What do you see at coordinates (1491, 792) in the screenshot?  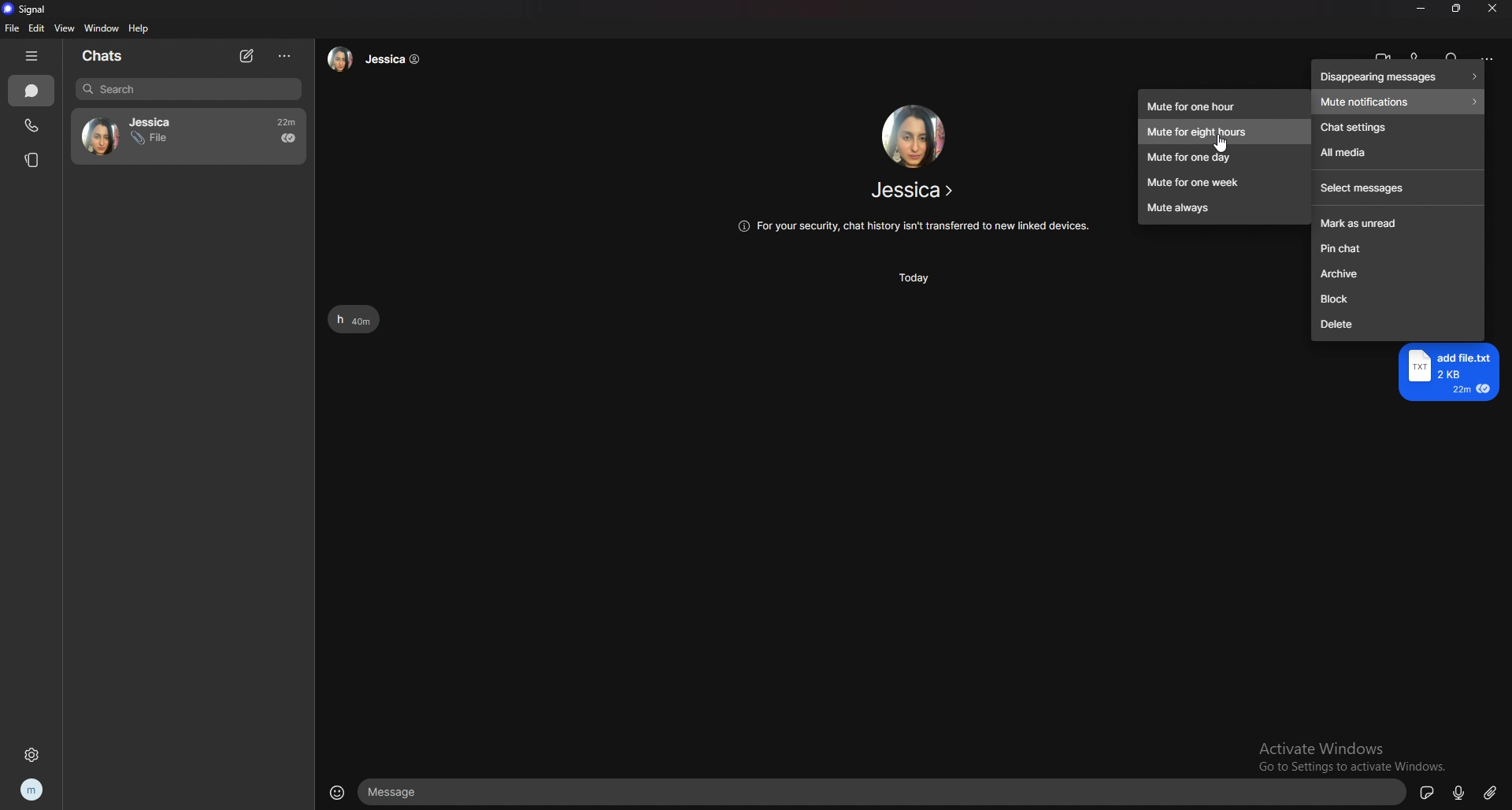 I see `attachment` at bounding box center [1491, 792].